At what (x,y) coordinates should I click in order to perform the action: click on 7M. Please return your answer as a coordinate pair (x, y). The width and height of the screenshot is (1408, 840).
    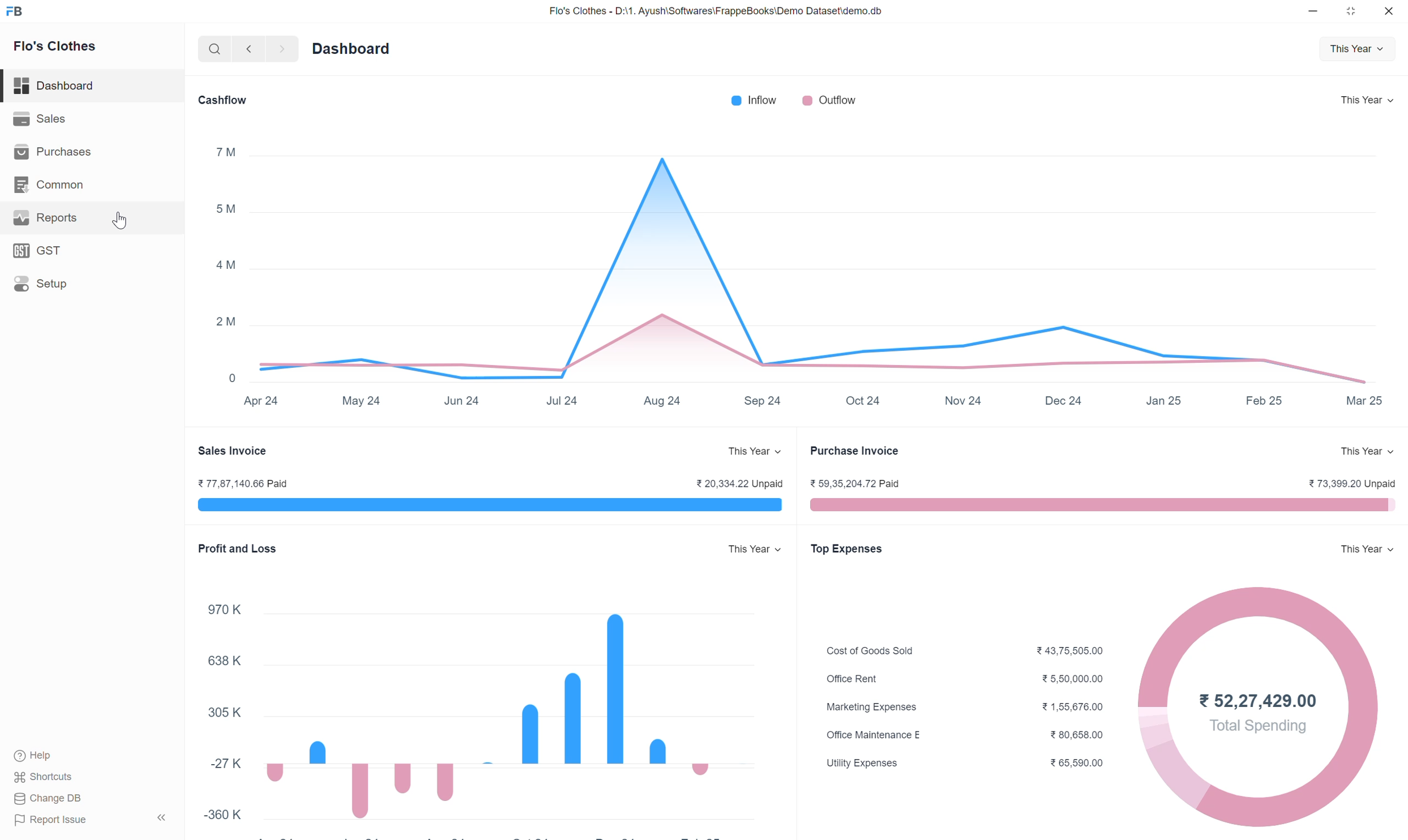
    Looking at the image, I should click on (224, 151).